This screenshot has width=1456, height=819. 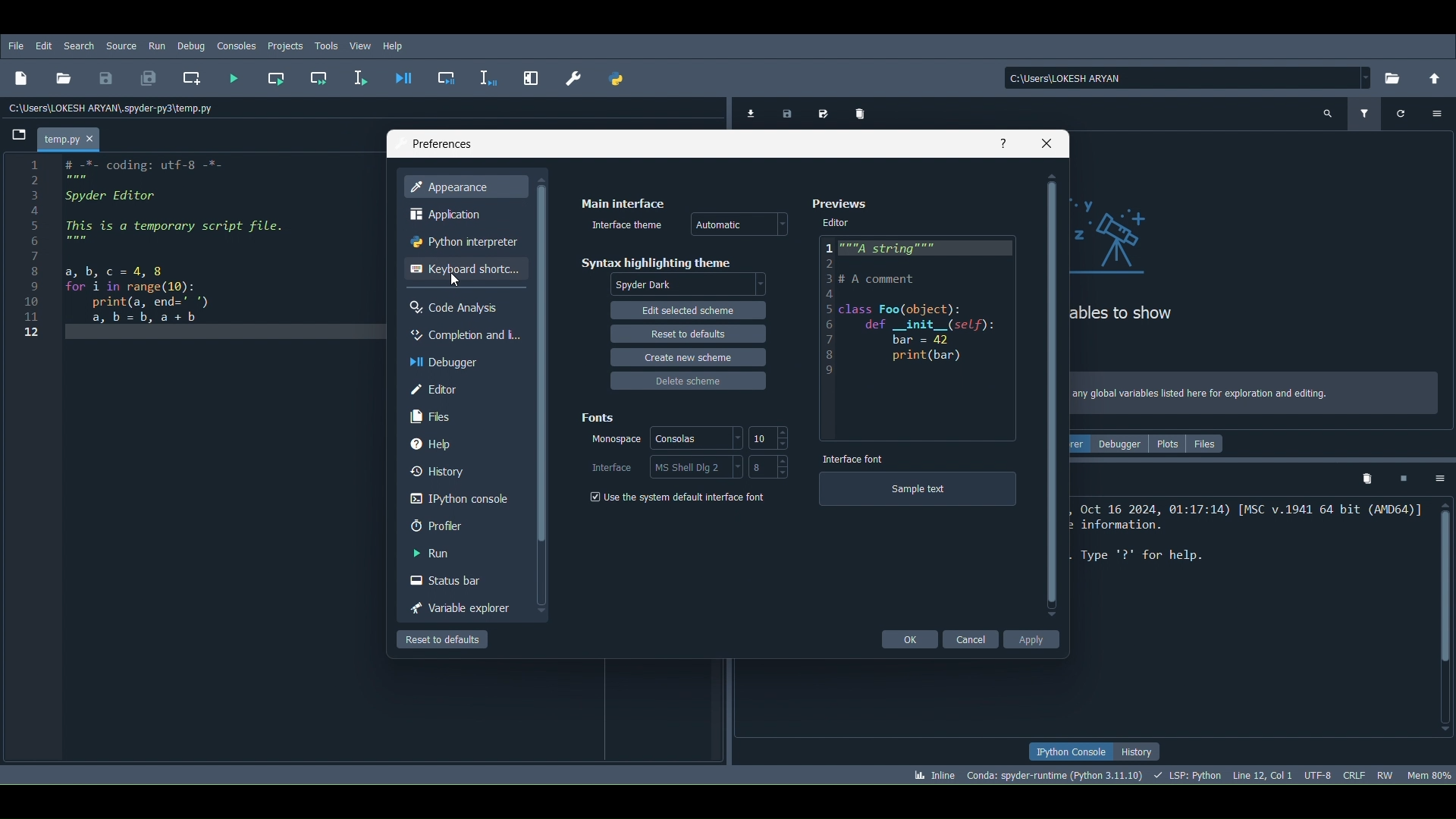 I want to click on Cursor position, so click(x=1260, y=773).